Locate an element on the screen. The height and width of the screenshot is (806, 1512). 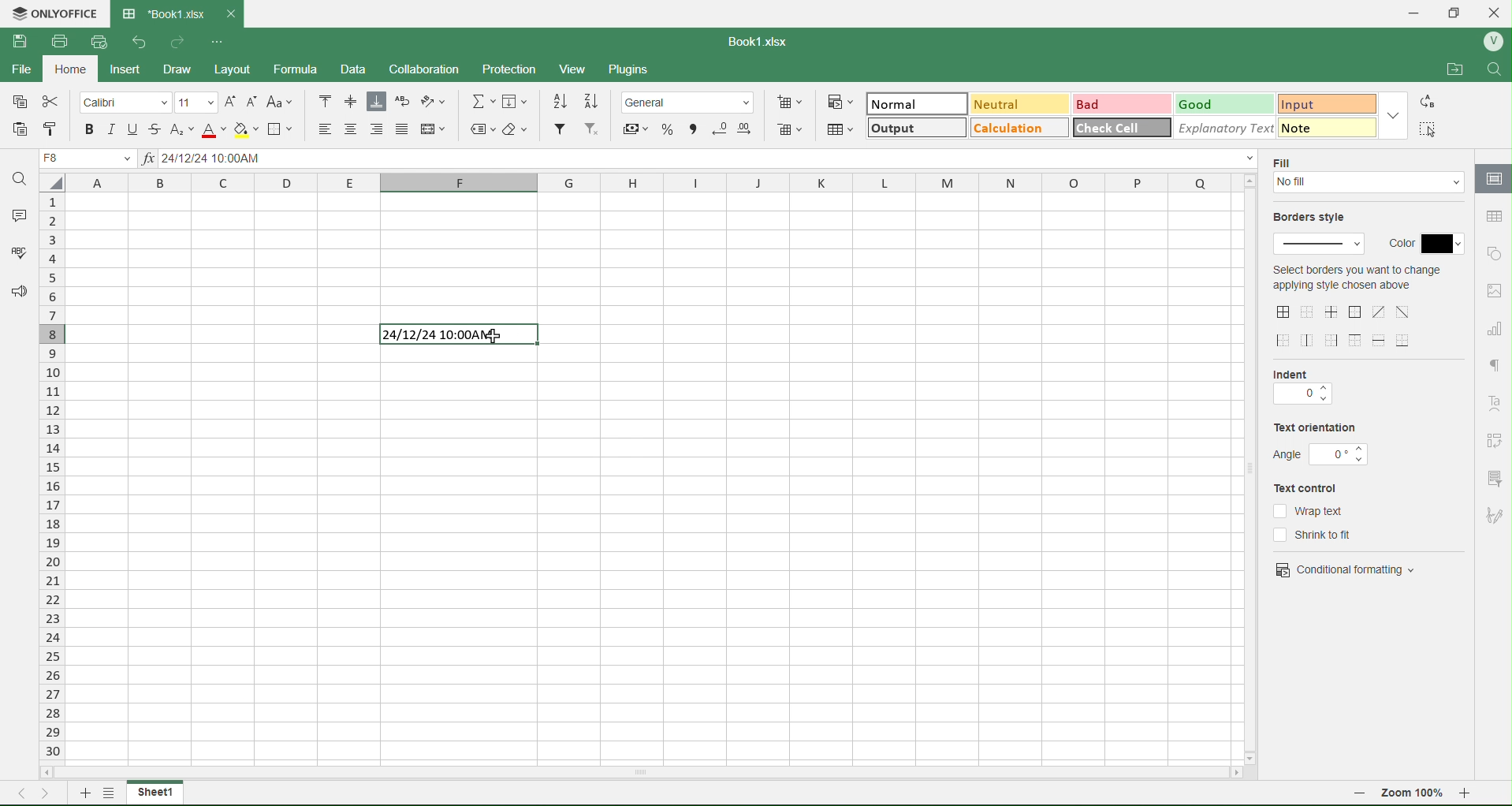
fill is located at coordinates (1287, 162).